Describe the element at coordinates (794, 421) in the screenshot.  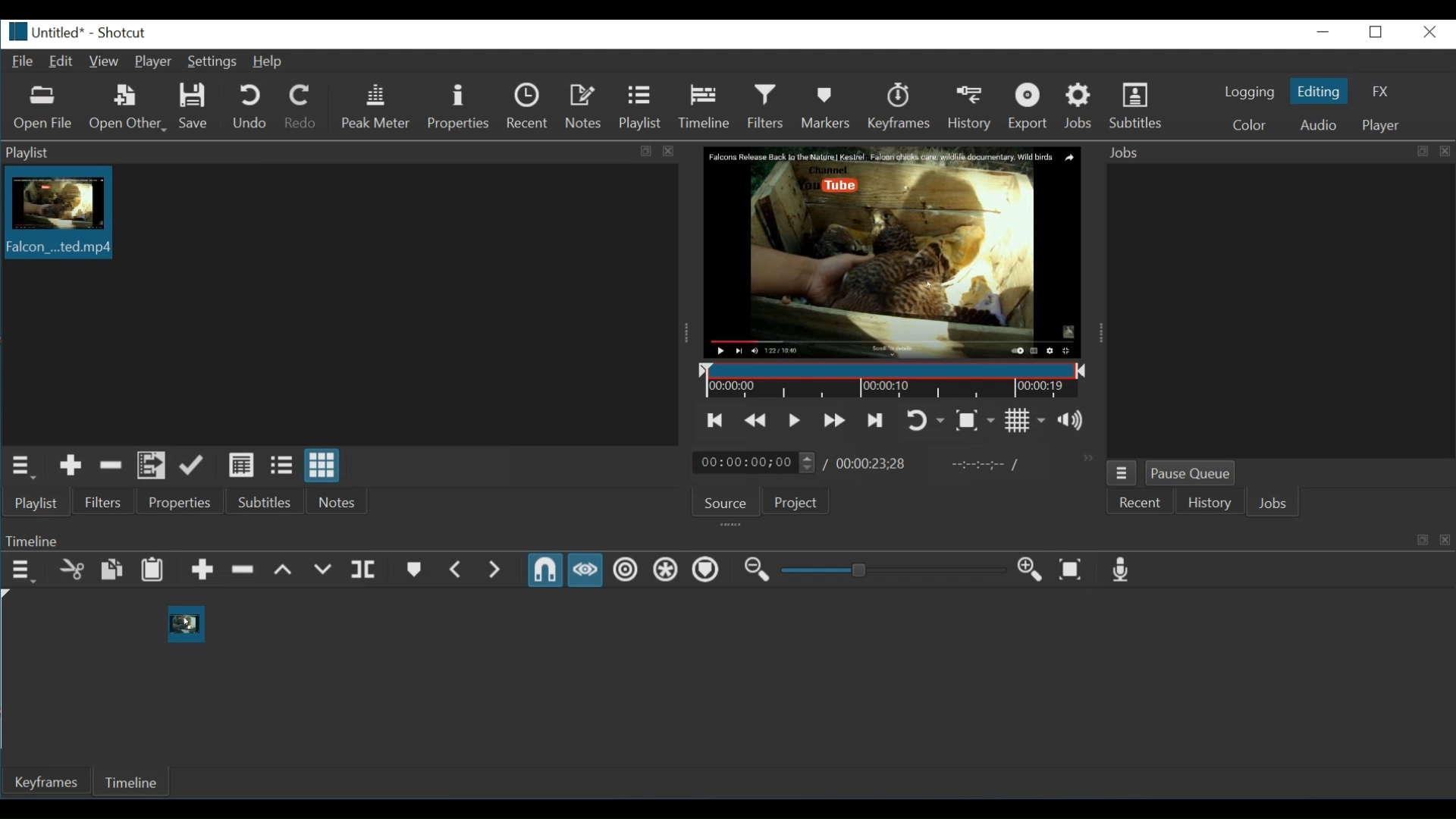
I see `Toggle play or pause` at that location.